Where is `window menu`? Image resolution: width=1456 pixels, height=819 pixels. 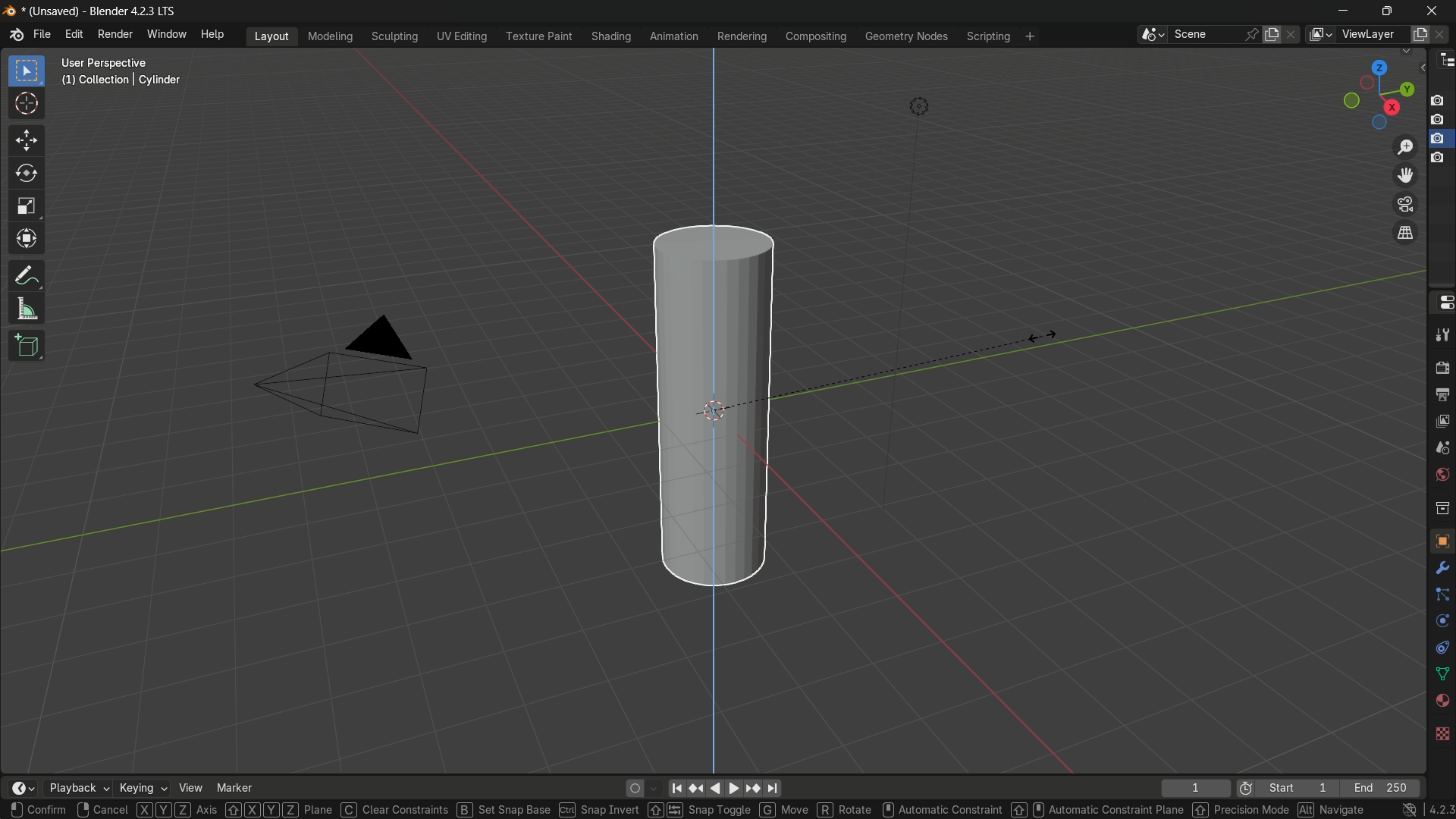 window menu is located at coordinates (168, 36).